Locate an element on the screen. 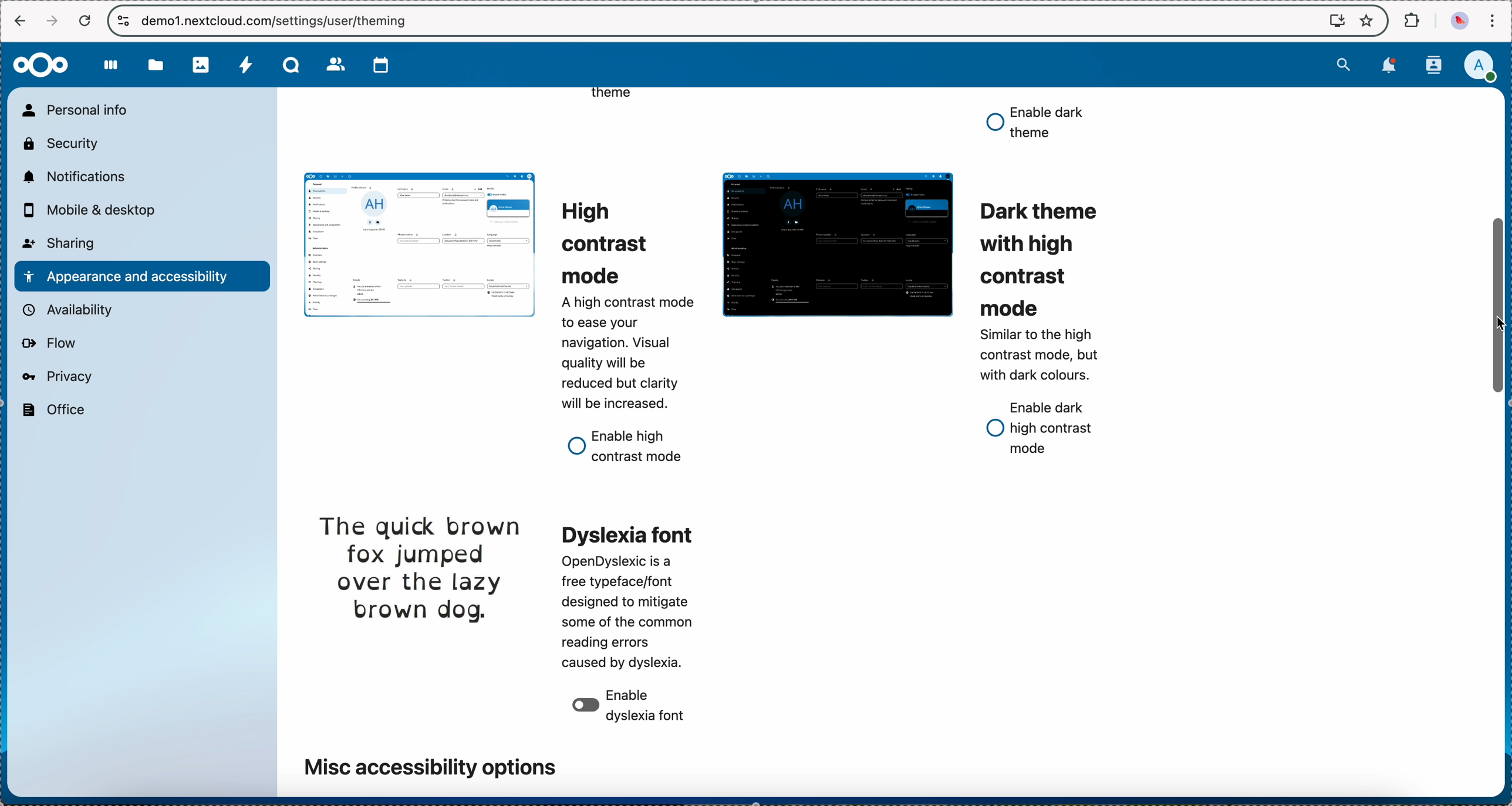 The width and height of the screenshot is (1512, 806). click on scroll bar is located at coordinates (1503, 306).